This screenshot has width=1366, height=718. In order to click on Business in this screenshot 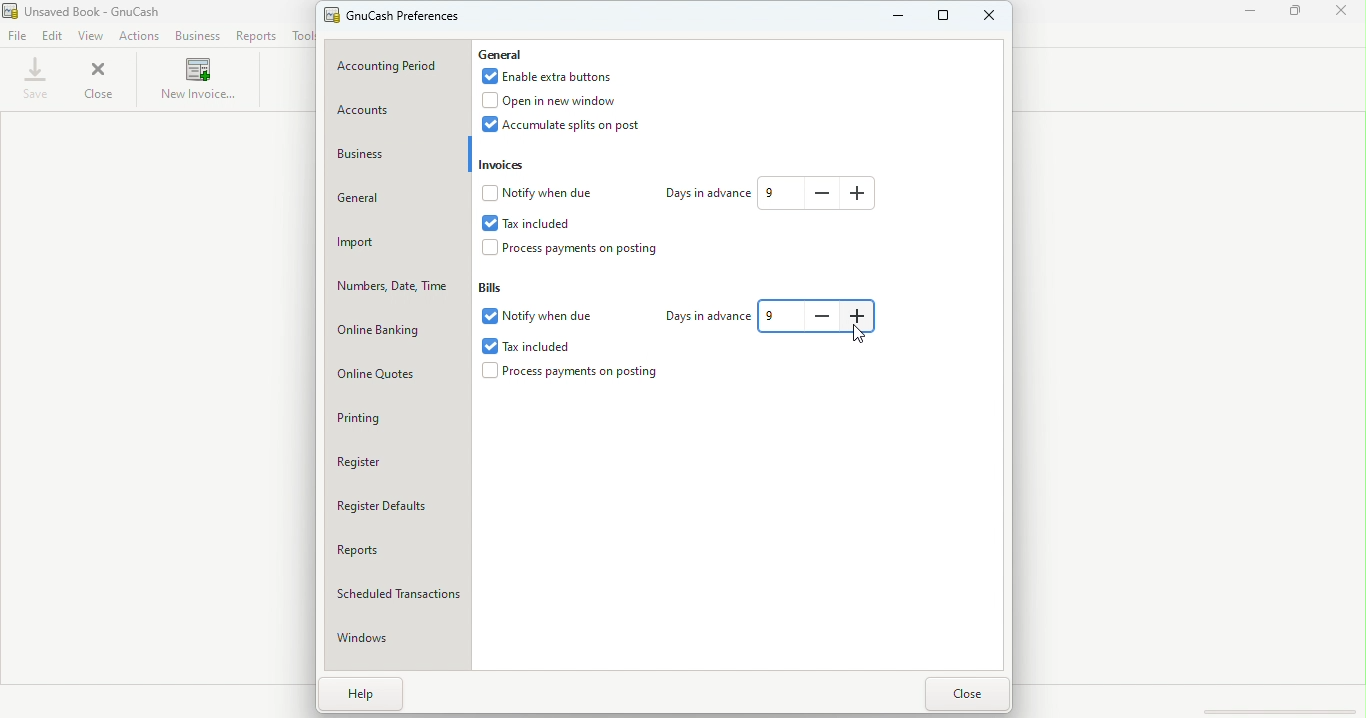, I will do `click(398, 152)`.